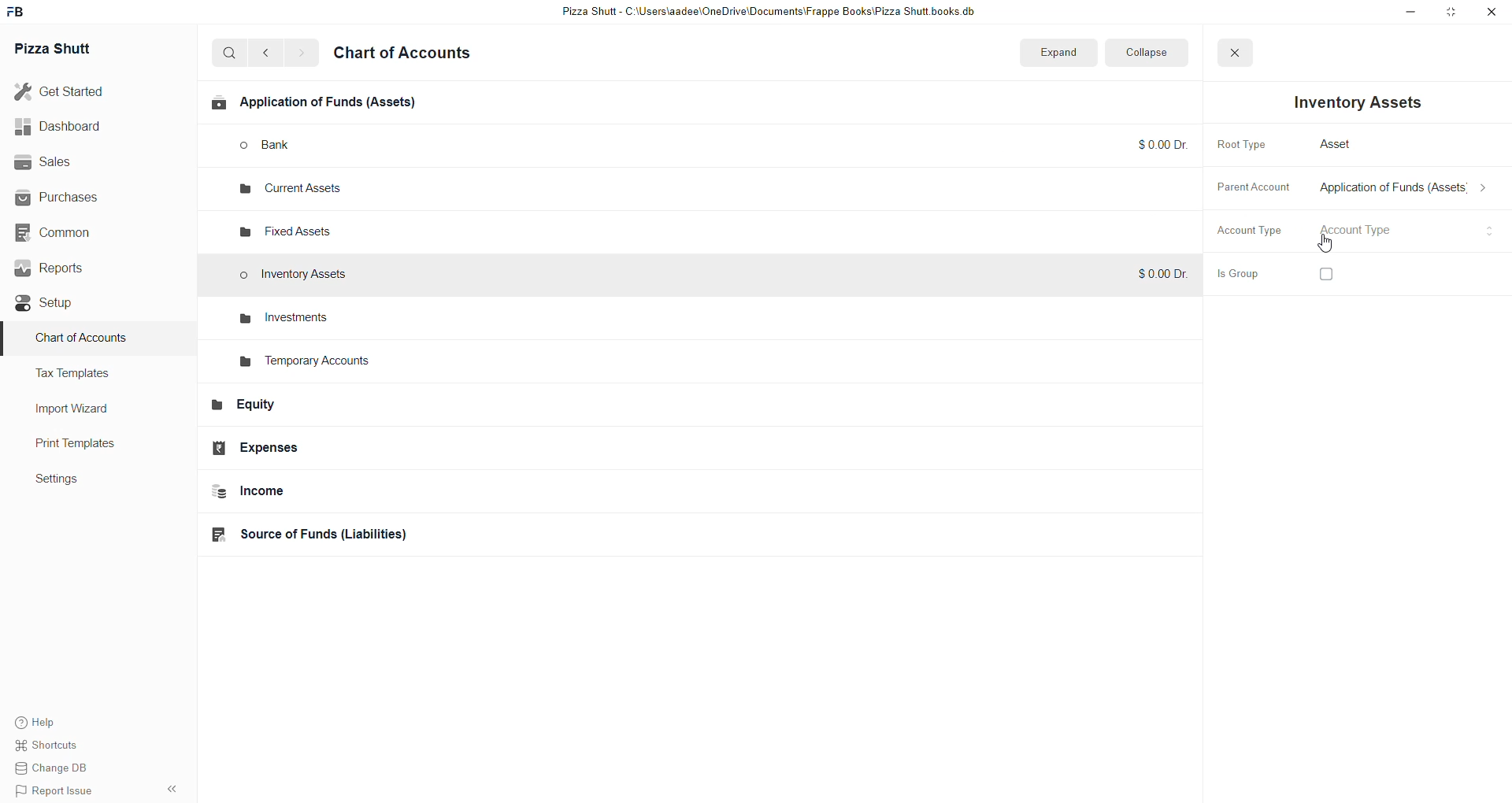 The width and height of the screenshot is (1512, 803). I want to click on Root Type , so click(1245, 146).